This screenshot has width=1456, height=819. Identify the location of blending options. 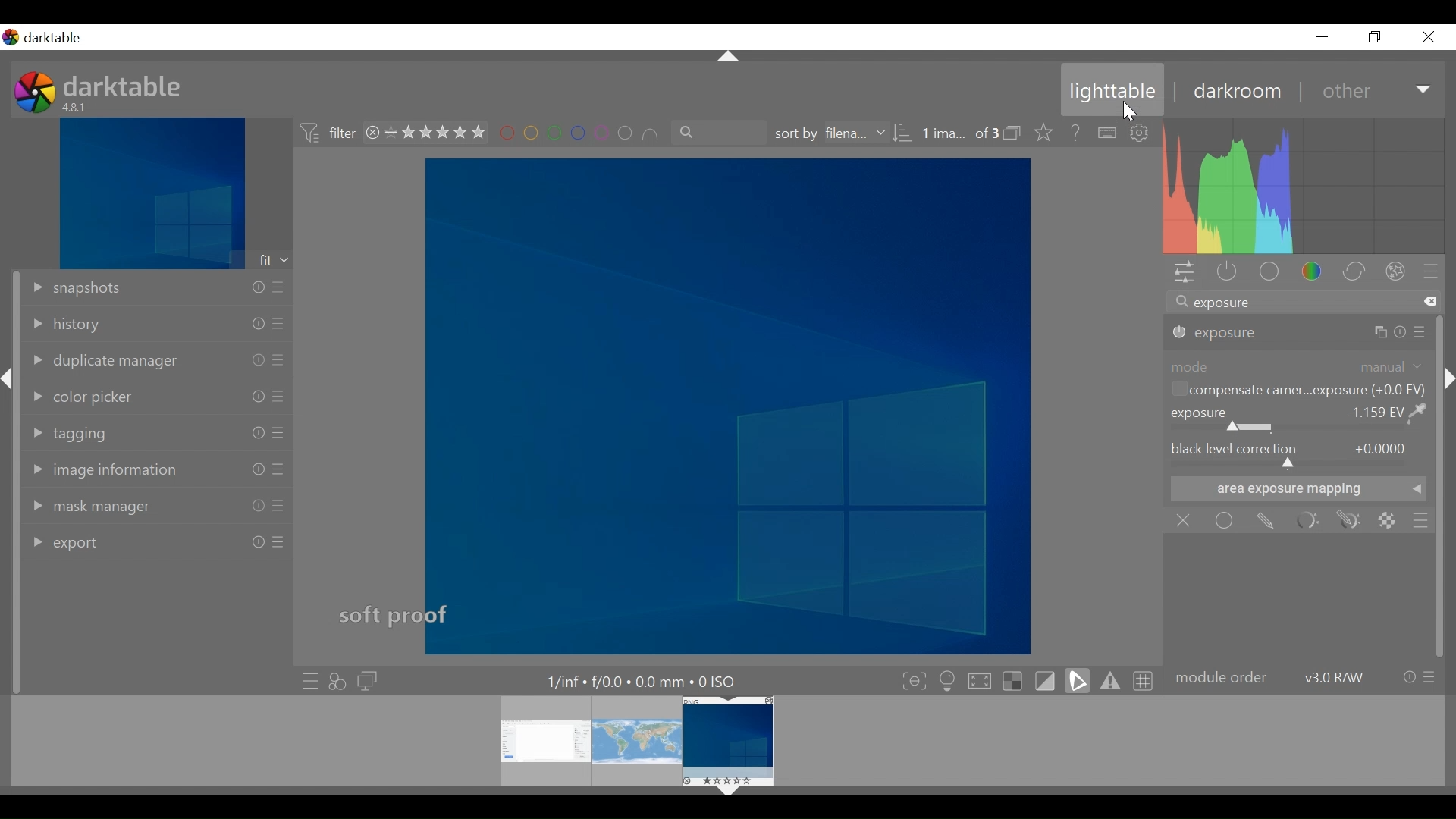
(1421, 520).